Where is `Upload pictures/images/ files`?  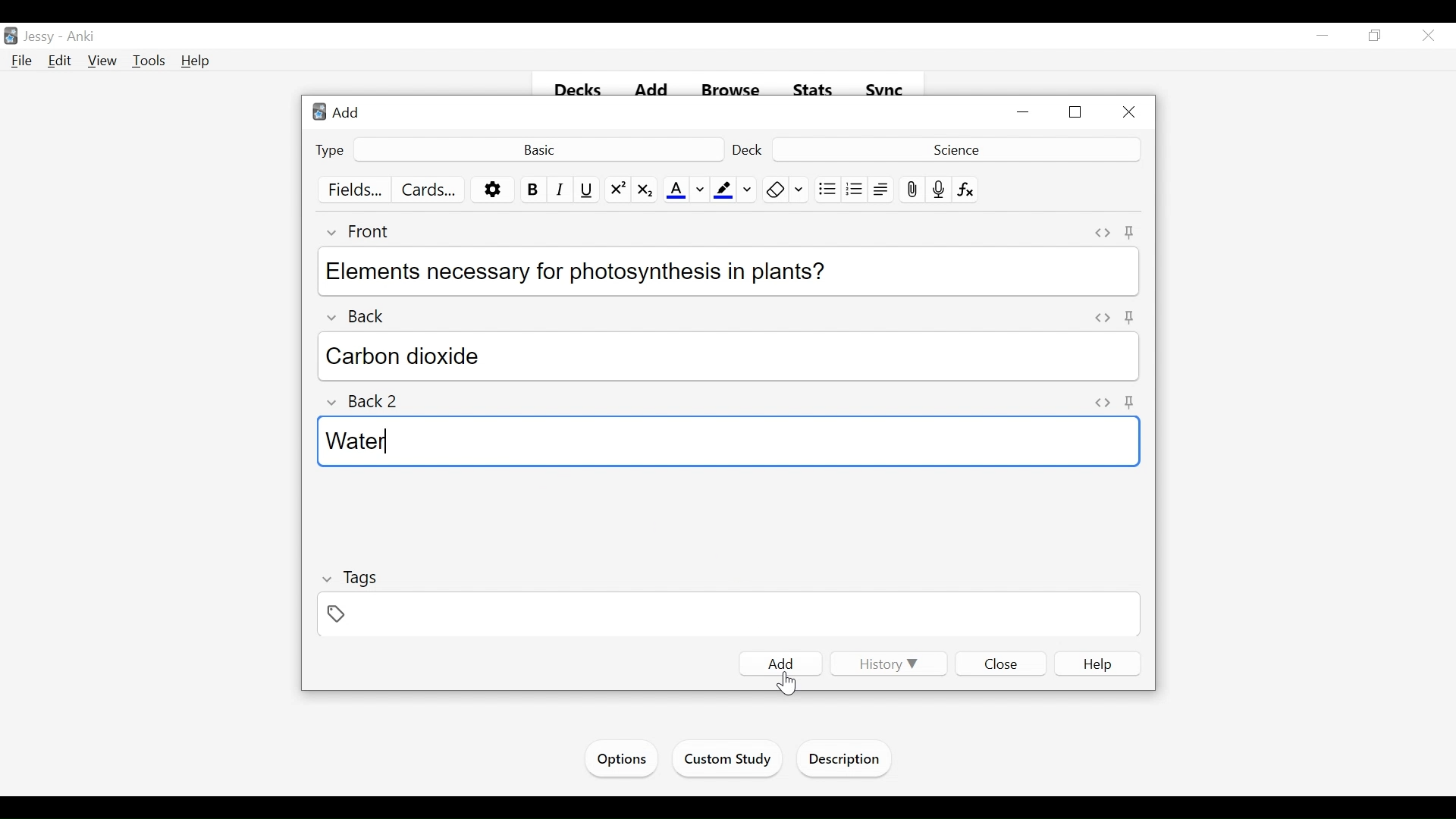 Upload pictures/images/ files is located at coordinates (911, 190).